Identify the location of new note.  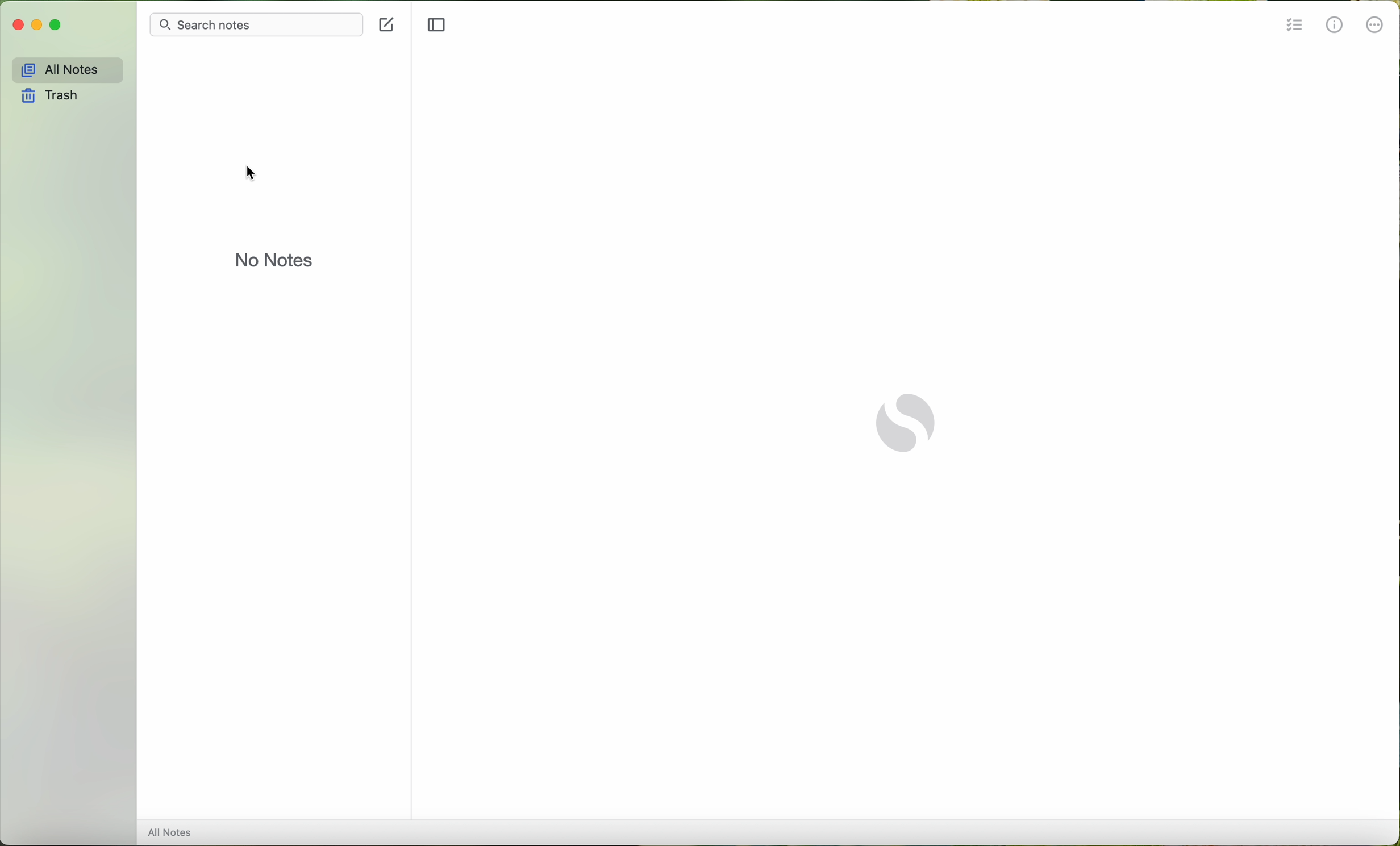
(386, 26).